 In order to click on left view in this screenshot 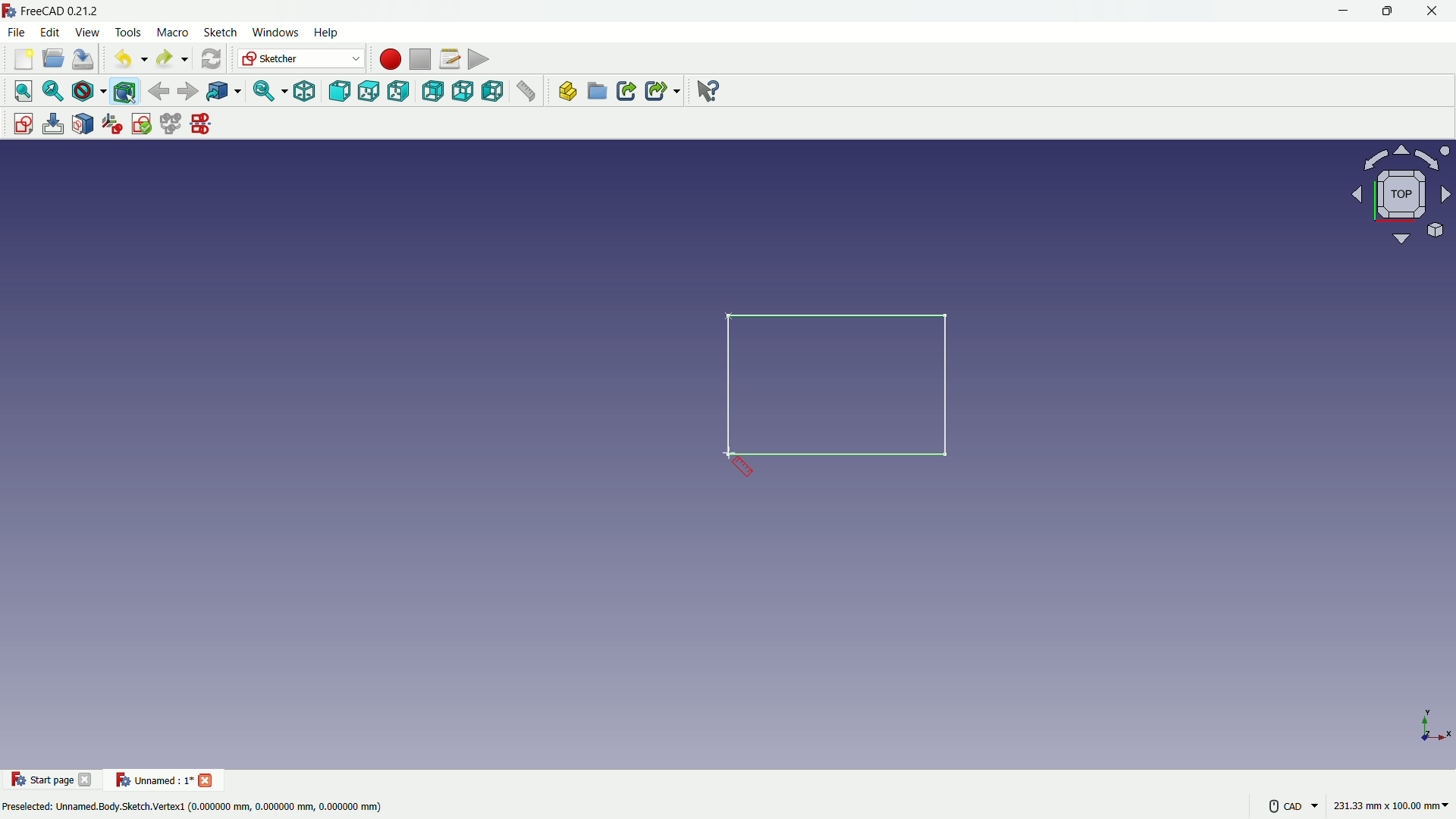, I will do `click(495, 93)`.